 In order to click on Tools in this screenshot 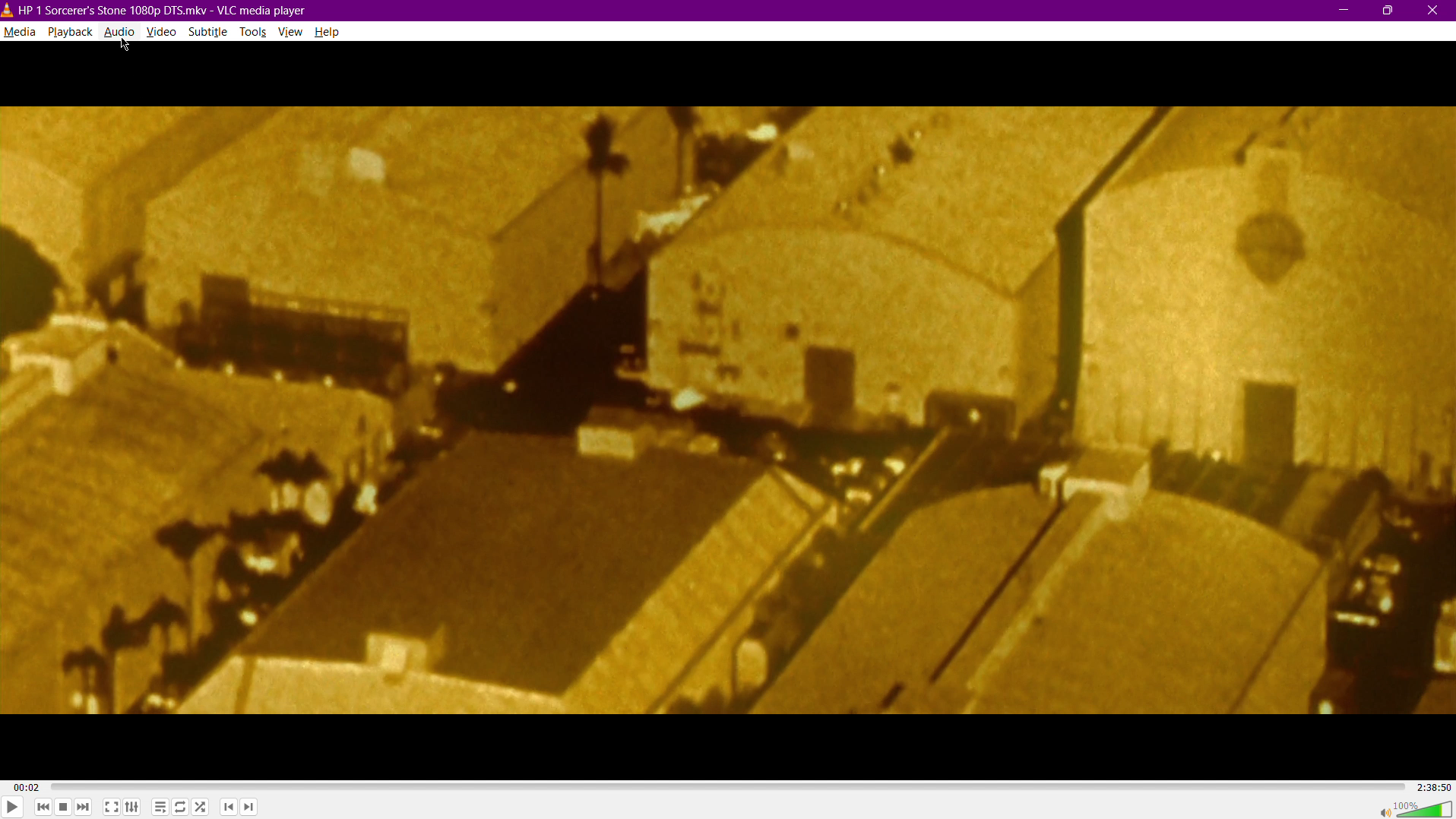, I will do `click(255, 33)`.